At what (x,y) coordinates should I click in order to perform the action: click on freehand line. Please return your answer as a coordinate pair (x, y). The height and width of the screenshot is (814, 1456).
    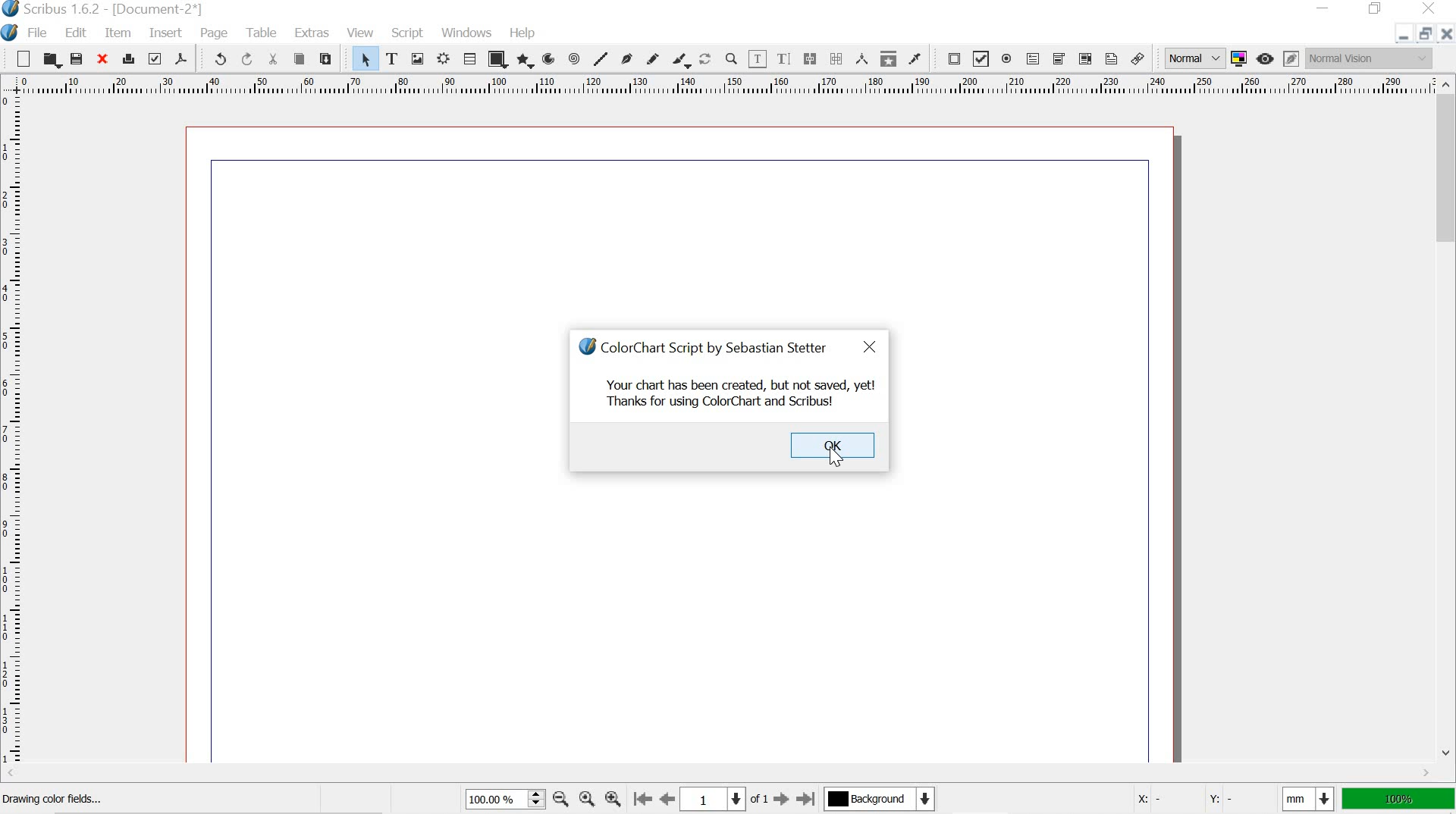
    Looking at the image, I should click on (651, 58).